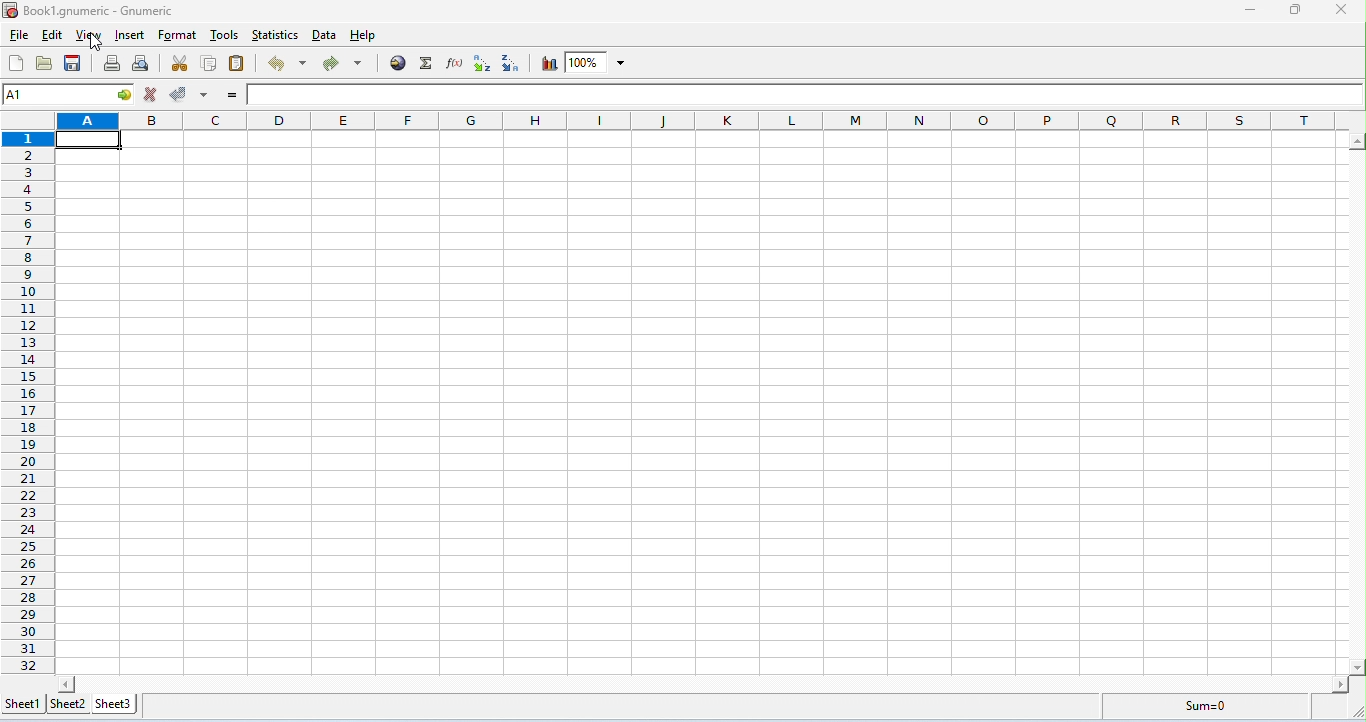  I want to click on space for horizontal scroll bar, so click(704, 684).